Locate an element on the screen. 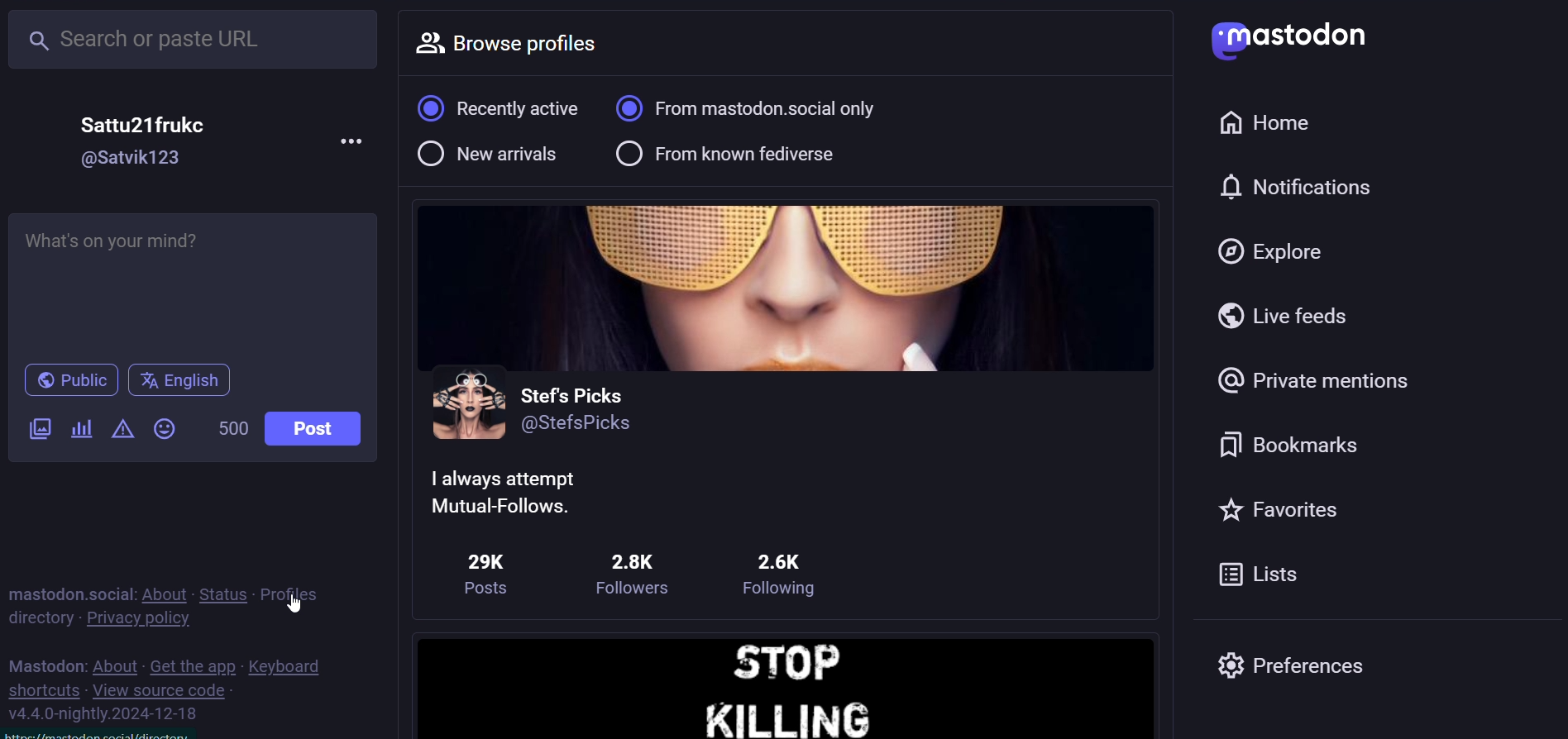 The height and width of the screenshot is (739, 1568). browse profiles is located at coordinates (519, 45).